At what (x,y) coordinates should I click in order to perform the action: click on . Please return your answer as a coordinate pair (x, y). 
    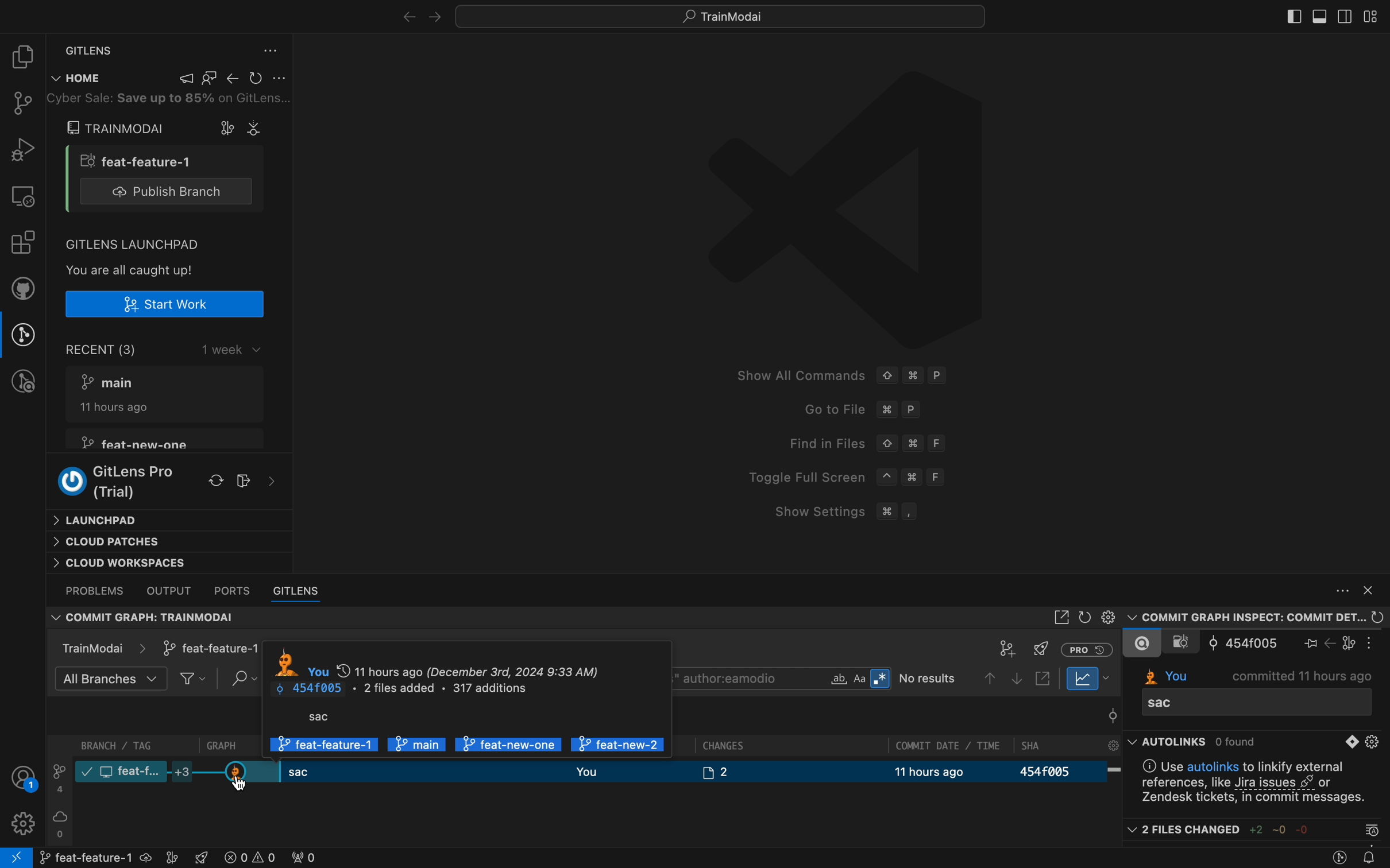
    Looking at the image, I should click on (923, 679).